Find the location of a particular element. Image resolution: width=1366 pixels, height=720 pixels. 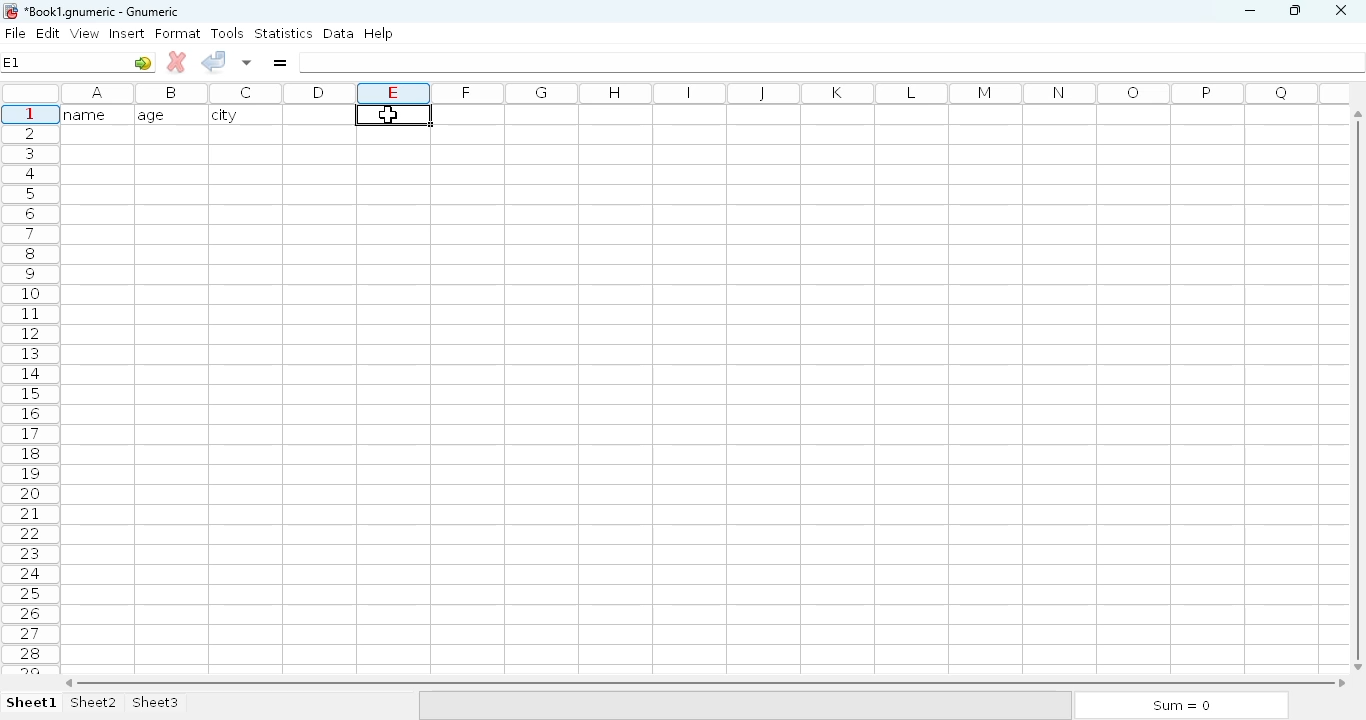

minimize is located at coordinates (1249, 11).